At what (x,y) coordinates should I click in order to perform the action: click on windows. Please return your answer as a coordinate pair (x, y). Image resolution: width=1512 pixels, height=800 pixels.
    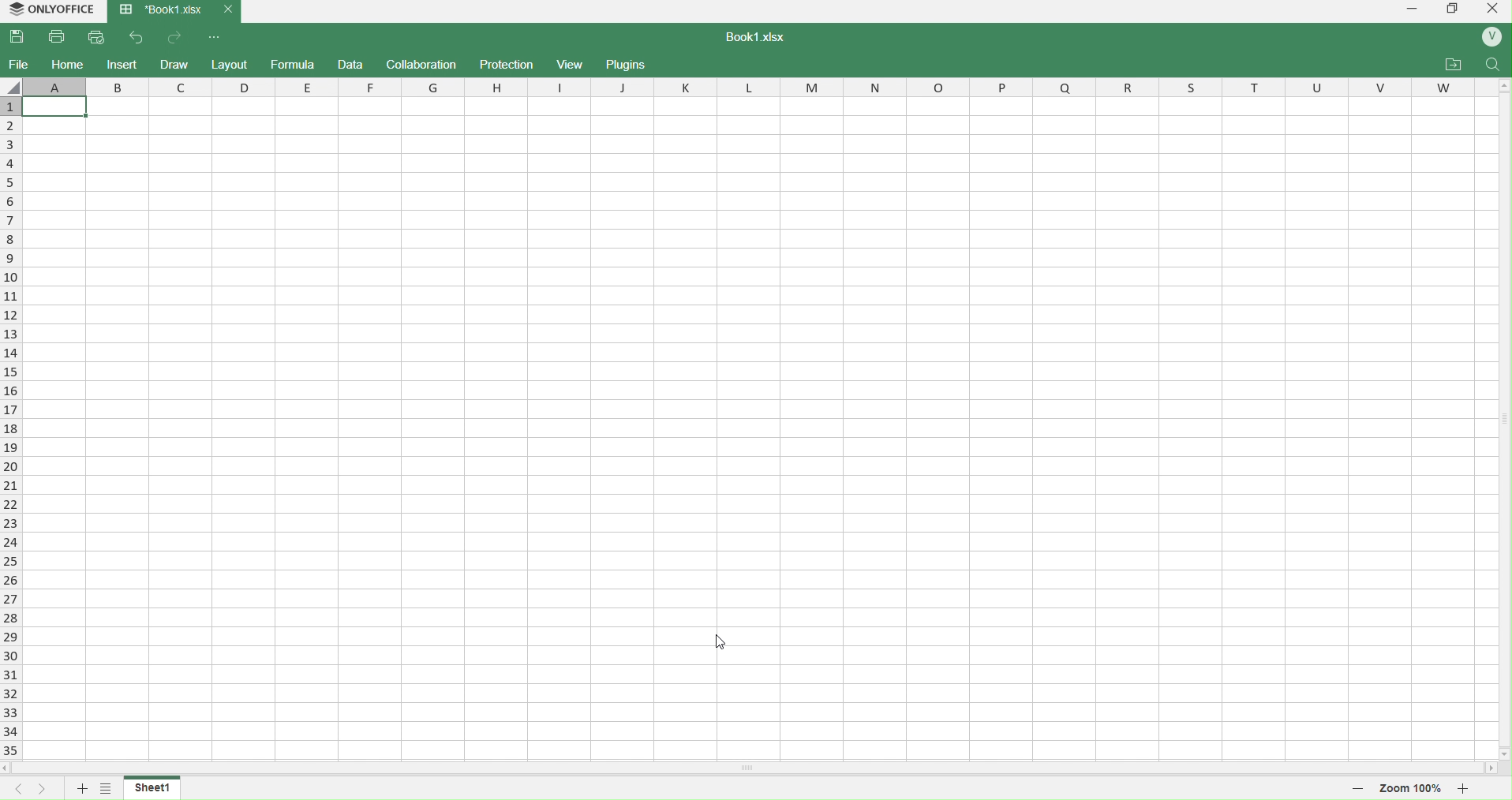
    Looking at the image, I should click on (1451, 11).